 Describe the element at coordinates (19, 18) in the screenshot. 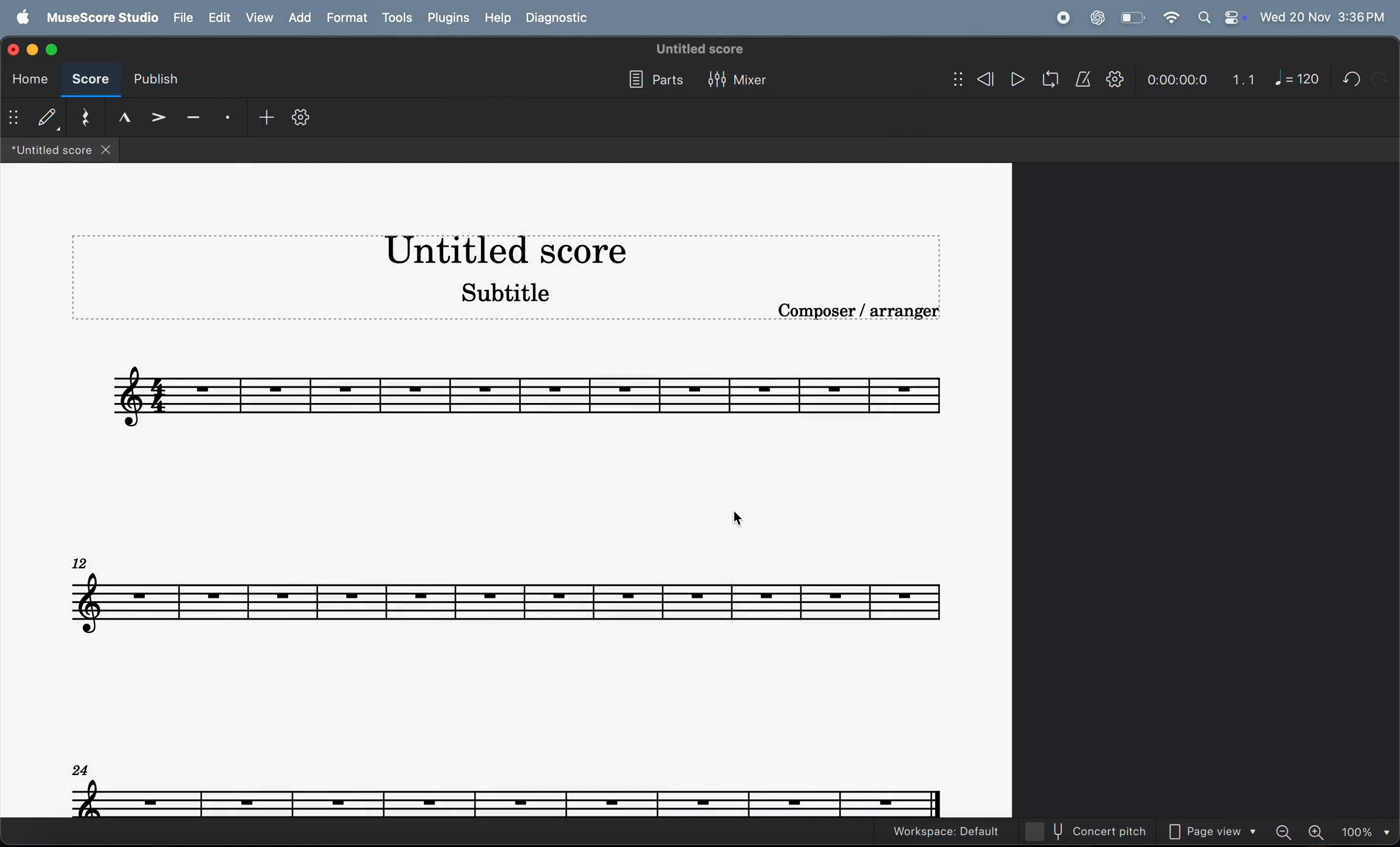

I see `apple menu` at that location.